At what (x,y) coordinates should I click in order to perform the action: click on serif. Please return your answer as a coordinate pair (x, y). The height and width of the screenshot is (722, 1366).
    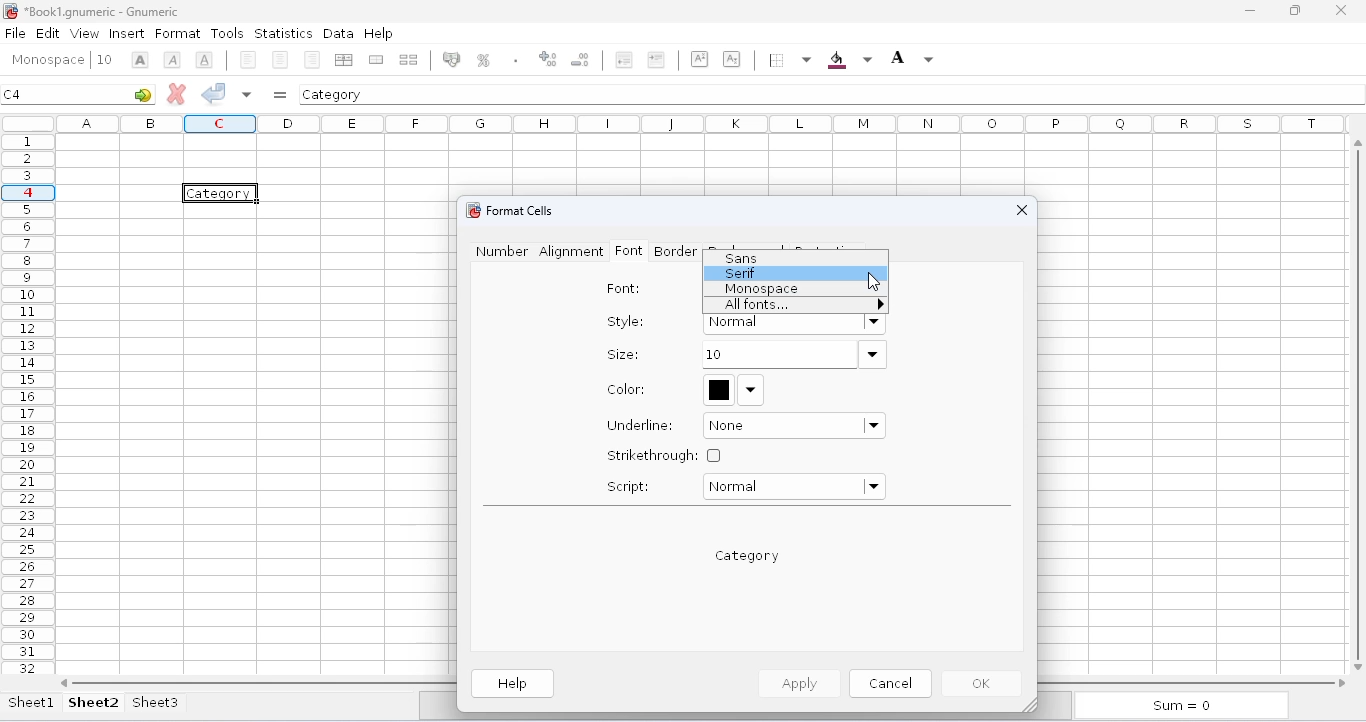
    Looking at the image, I should click on (742, 273).